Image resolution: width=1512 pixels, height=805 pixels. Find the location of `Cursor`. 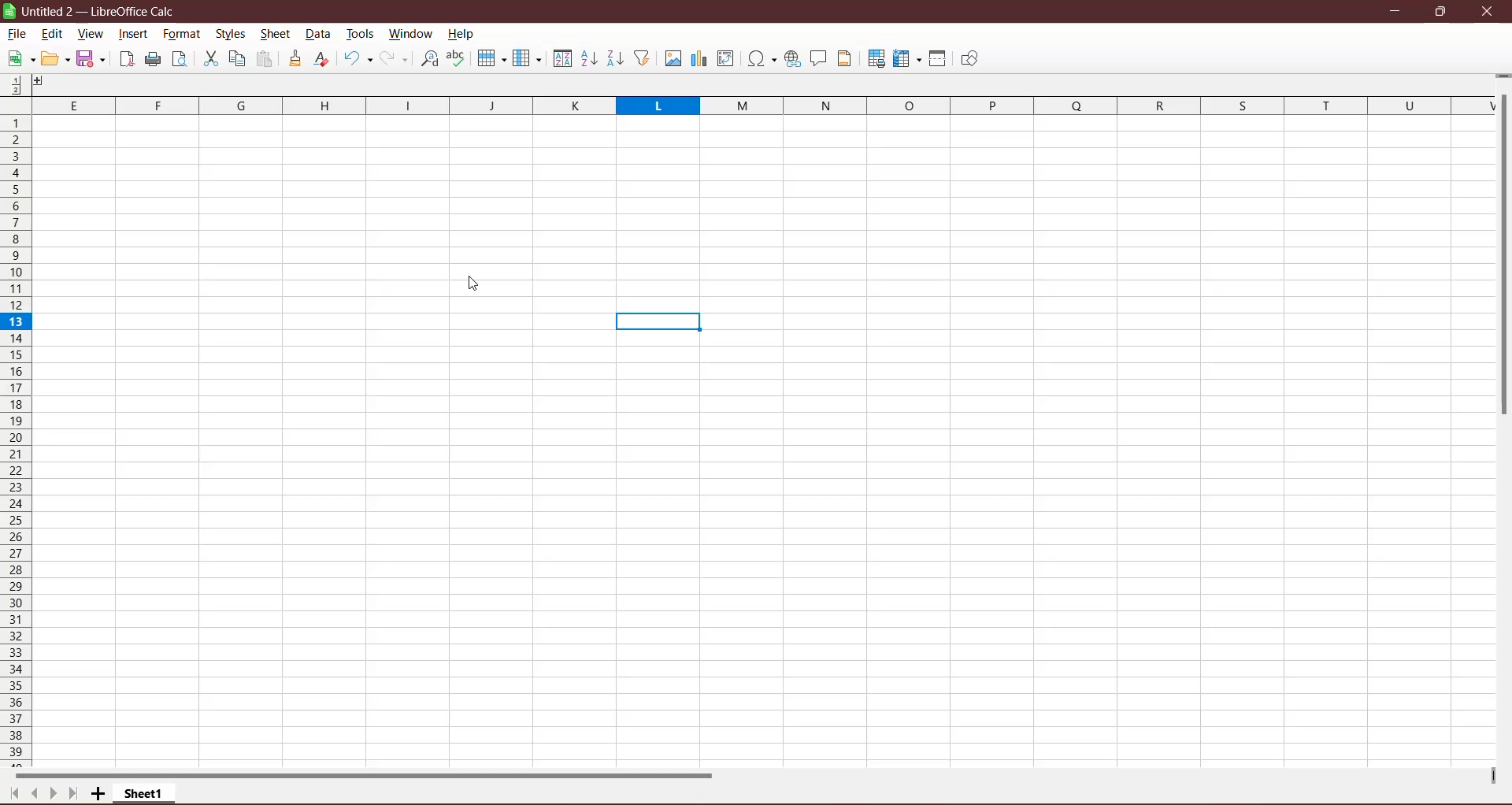

Cursor is located at coordinates (474, 284).